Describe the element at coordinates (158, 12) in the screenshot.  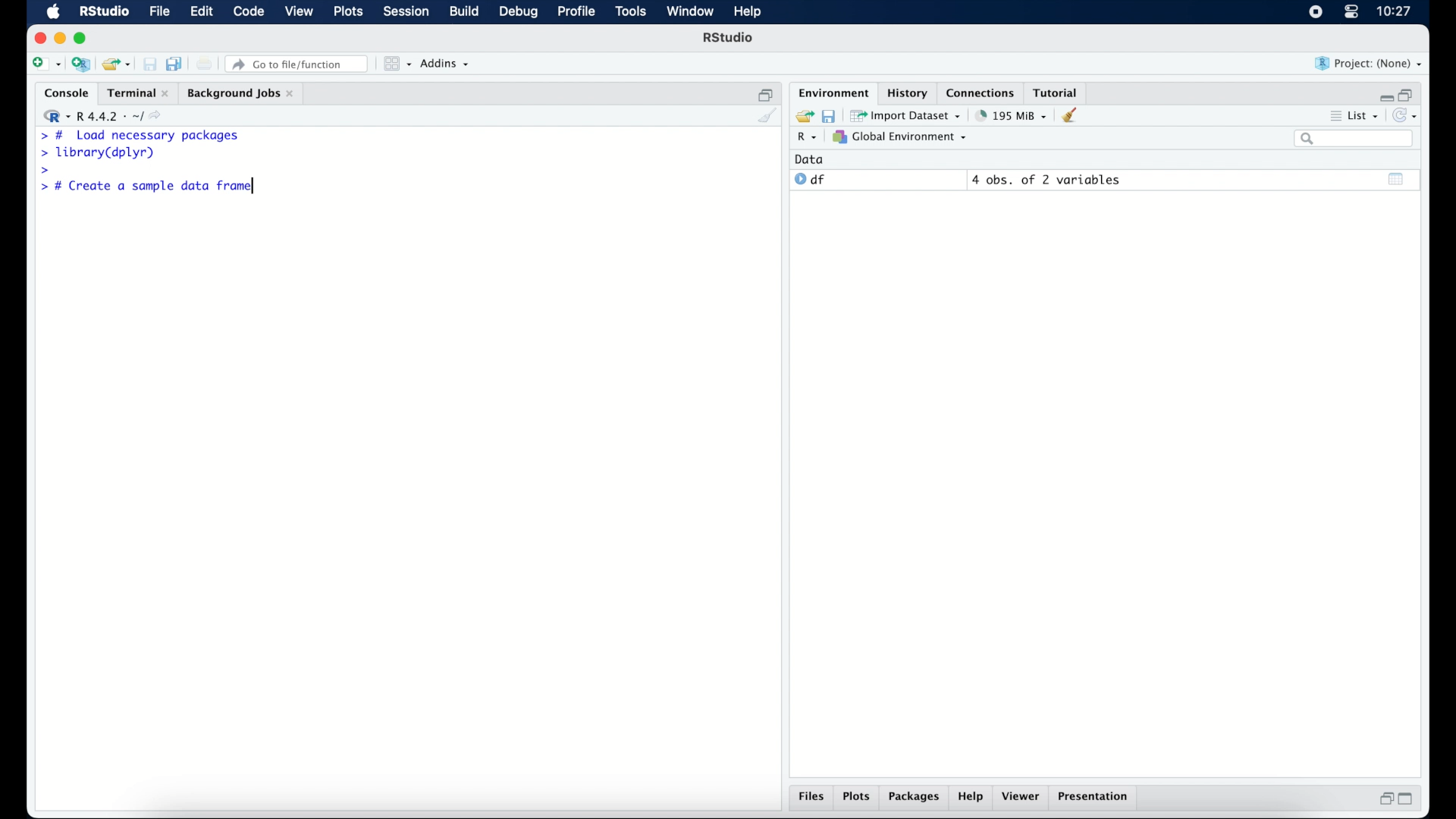
I see `file` at that location.